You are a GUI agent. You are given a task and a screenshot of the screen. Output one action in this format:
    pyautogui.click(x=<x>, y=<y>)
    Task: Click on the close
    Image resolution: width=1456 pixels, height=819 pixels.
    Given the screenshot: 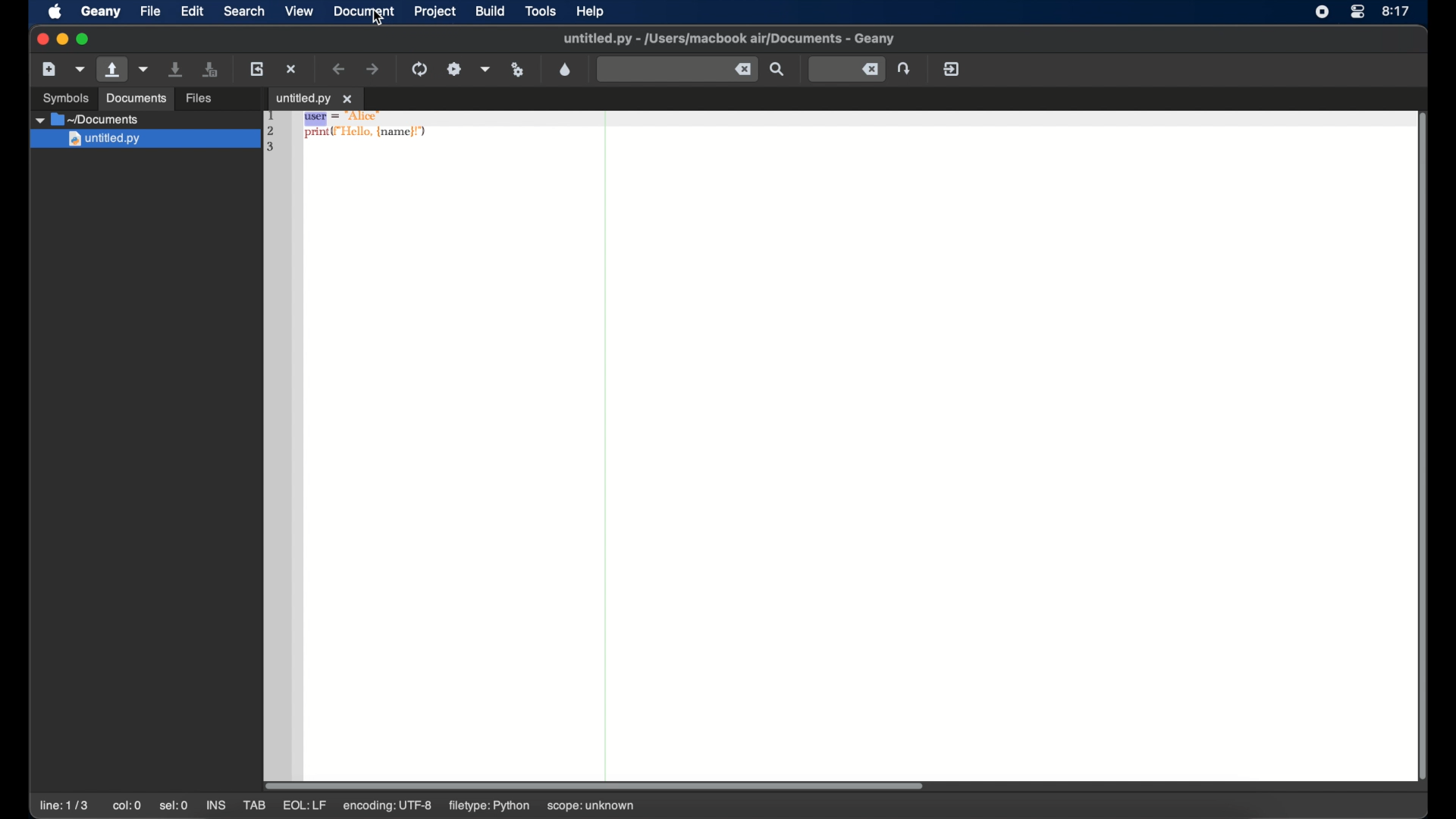 What is the action you would take?
    pyautogui.click(x=41, y=38)
    